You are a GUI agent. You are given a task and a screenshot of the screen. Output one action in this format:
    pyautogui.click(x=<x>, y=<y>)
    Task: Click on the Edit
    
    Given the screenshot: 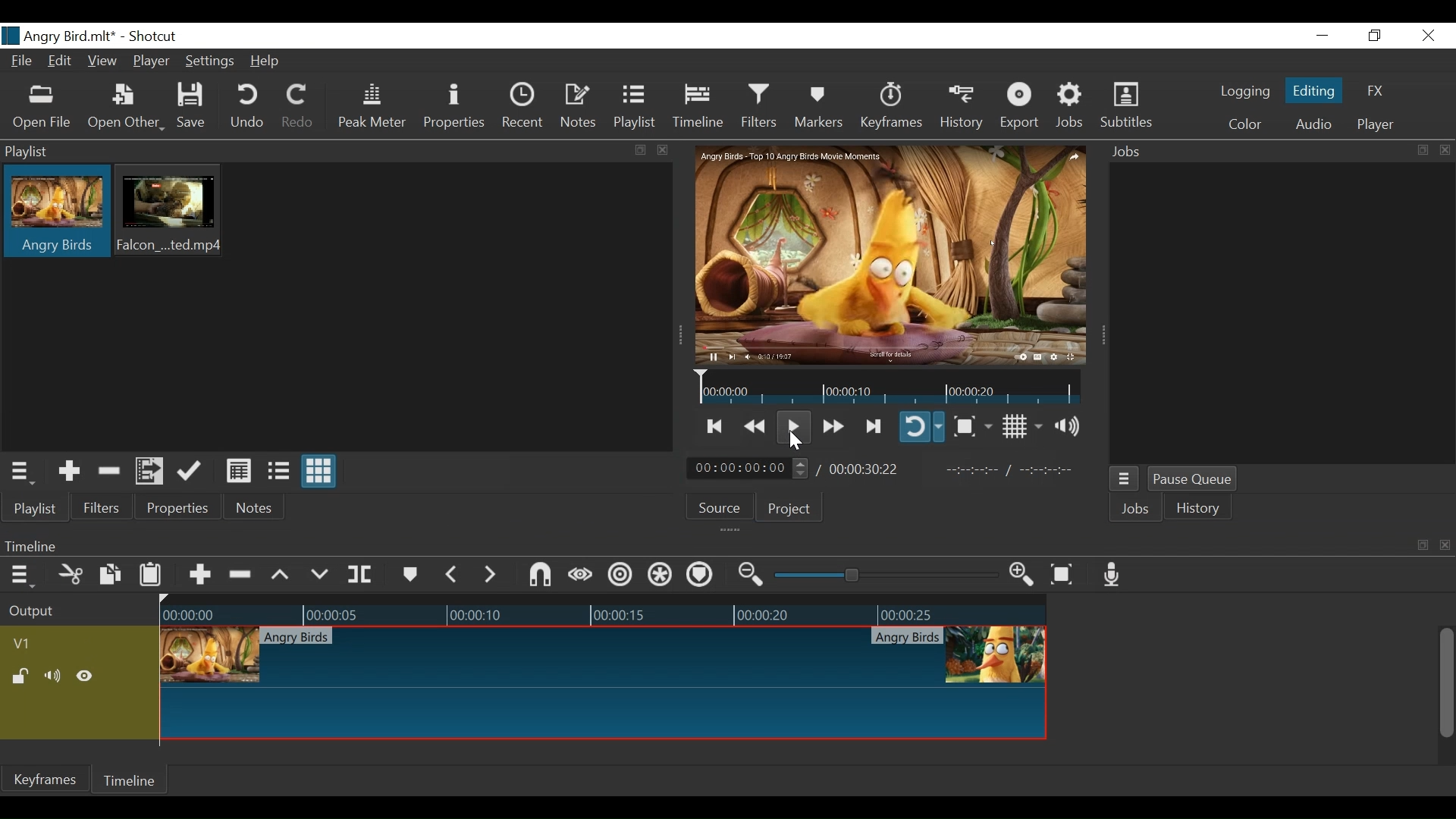 What is the action you would take?
    pyautogui.click(x=61, y=62)
    